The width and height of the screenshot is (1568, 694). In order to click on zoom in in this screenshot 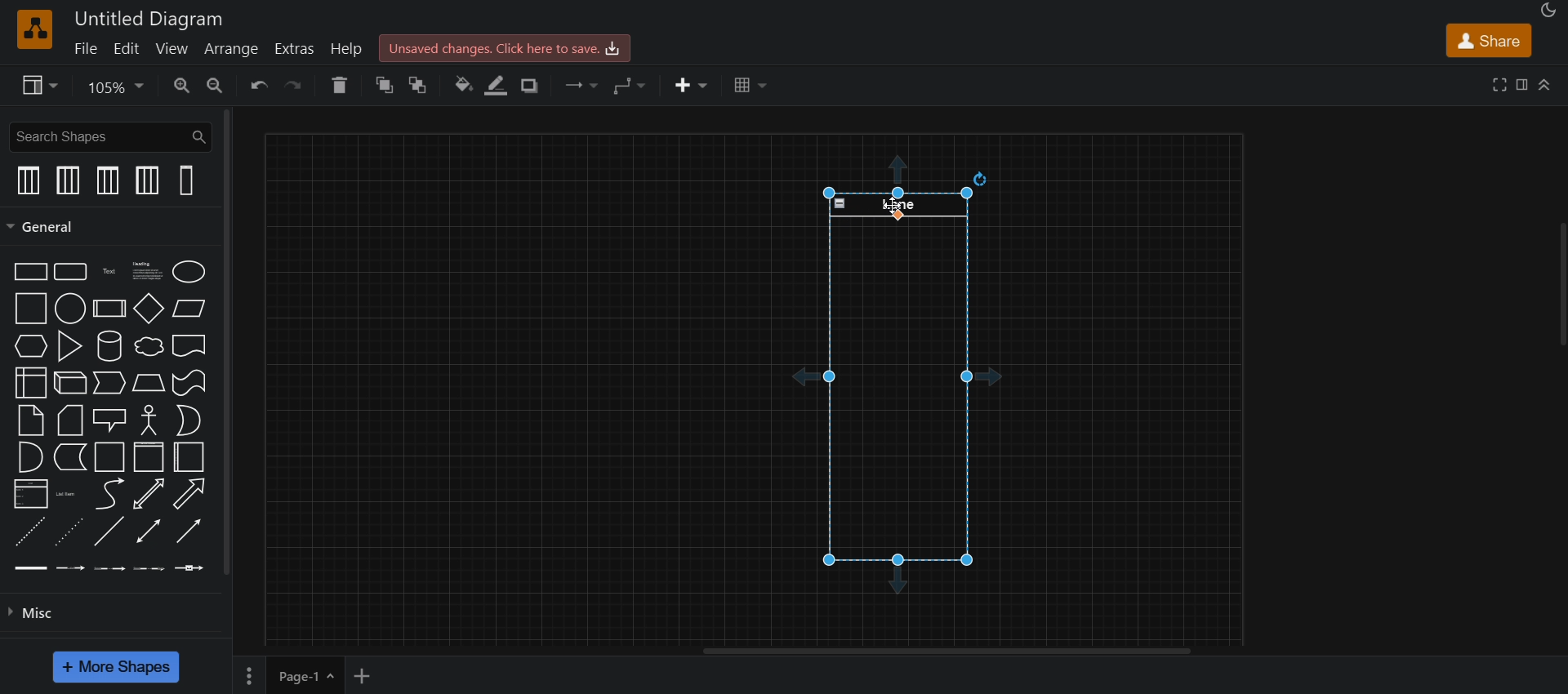, I will do `click(182, 87)`.